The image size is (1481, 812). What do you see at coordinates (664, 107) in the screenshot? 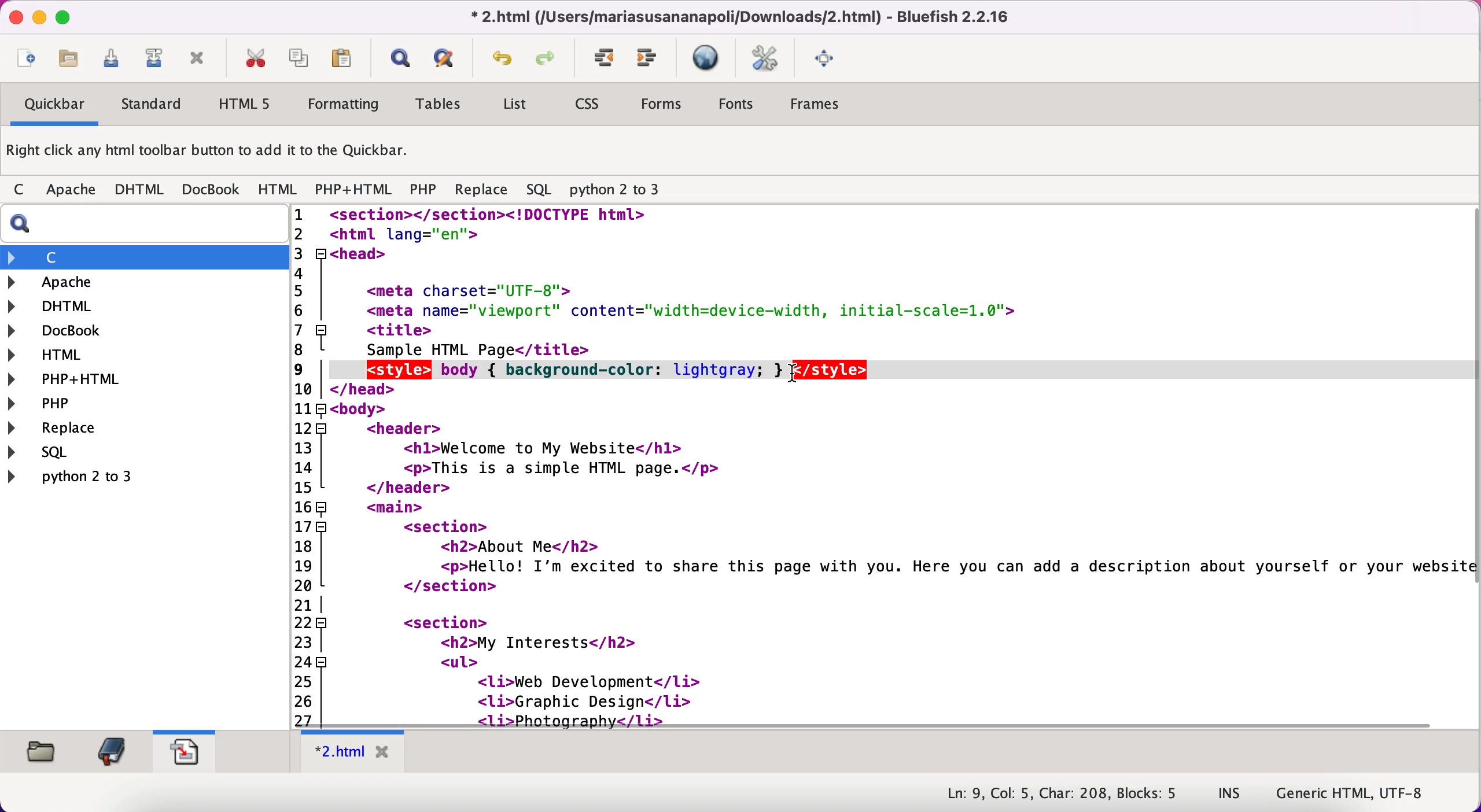
I see `forms` at bounding box center [664, 107].